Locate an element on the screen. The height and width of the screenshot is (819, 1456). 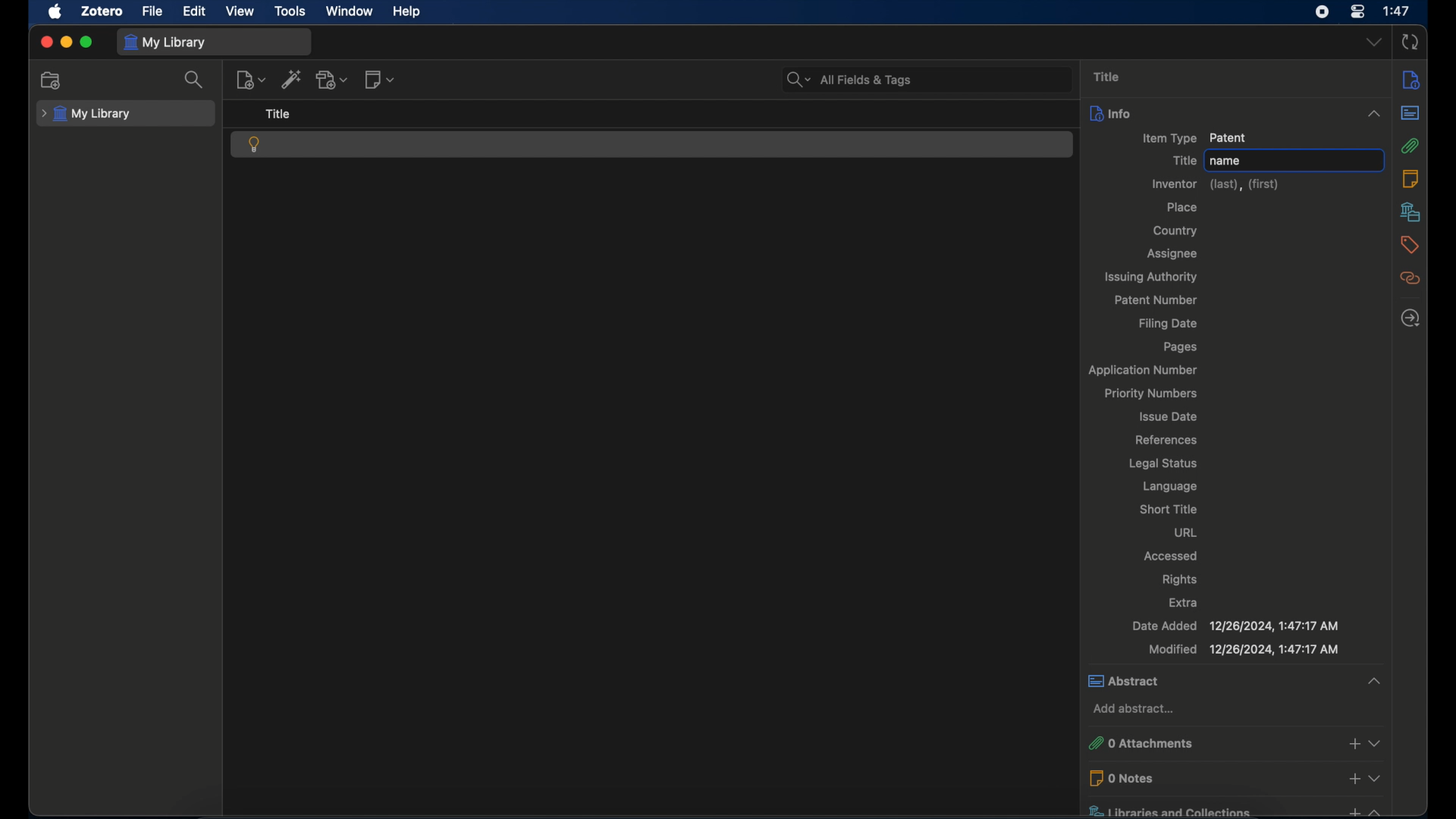
info is located at coordinates (1216, 113).